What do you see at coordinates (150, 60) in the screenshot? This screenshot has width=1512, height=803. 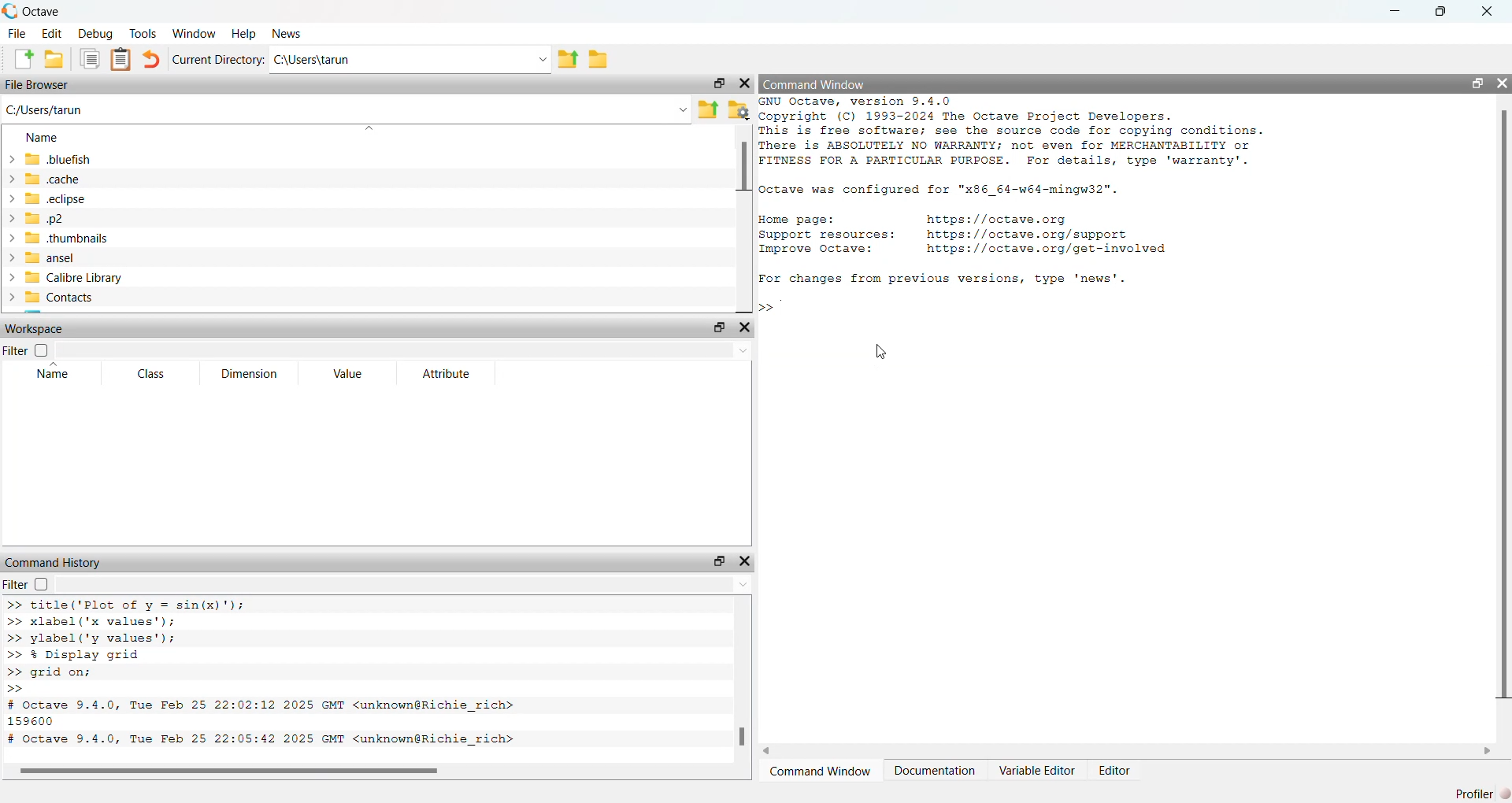 I see `undo` at bounding box center [150, 60].